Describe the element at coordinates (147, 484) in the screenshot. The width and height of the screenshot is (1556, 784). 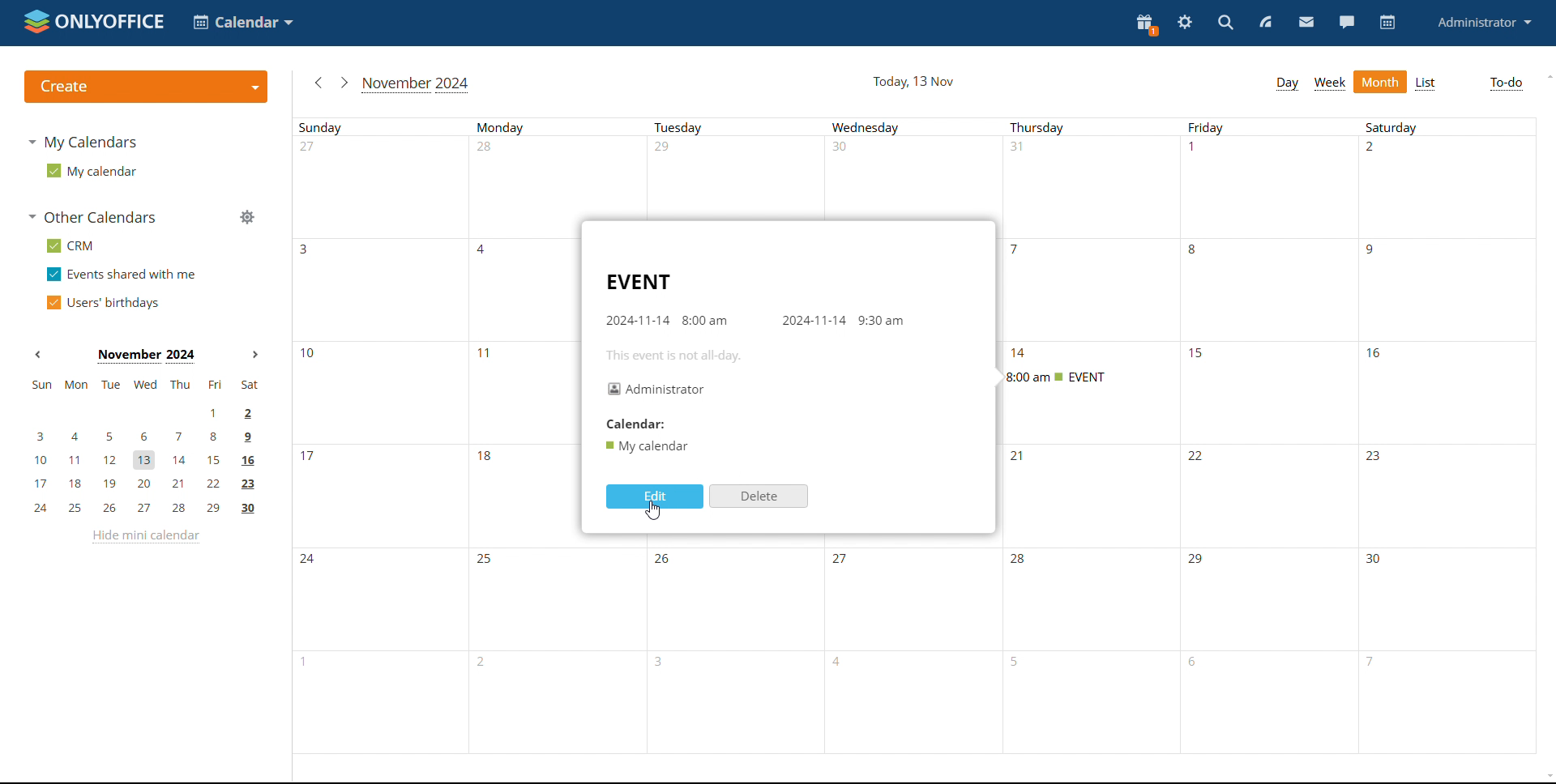
I see `17, 18, 19, 20, 21, 22, 23` at that location.